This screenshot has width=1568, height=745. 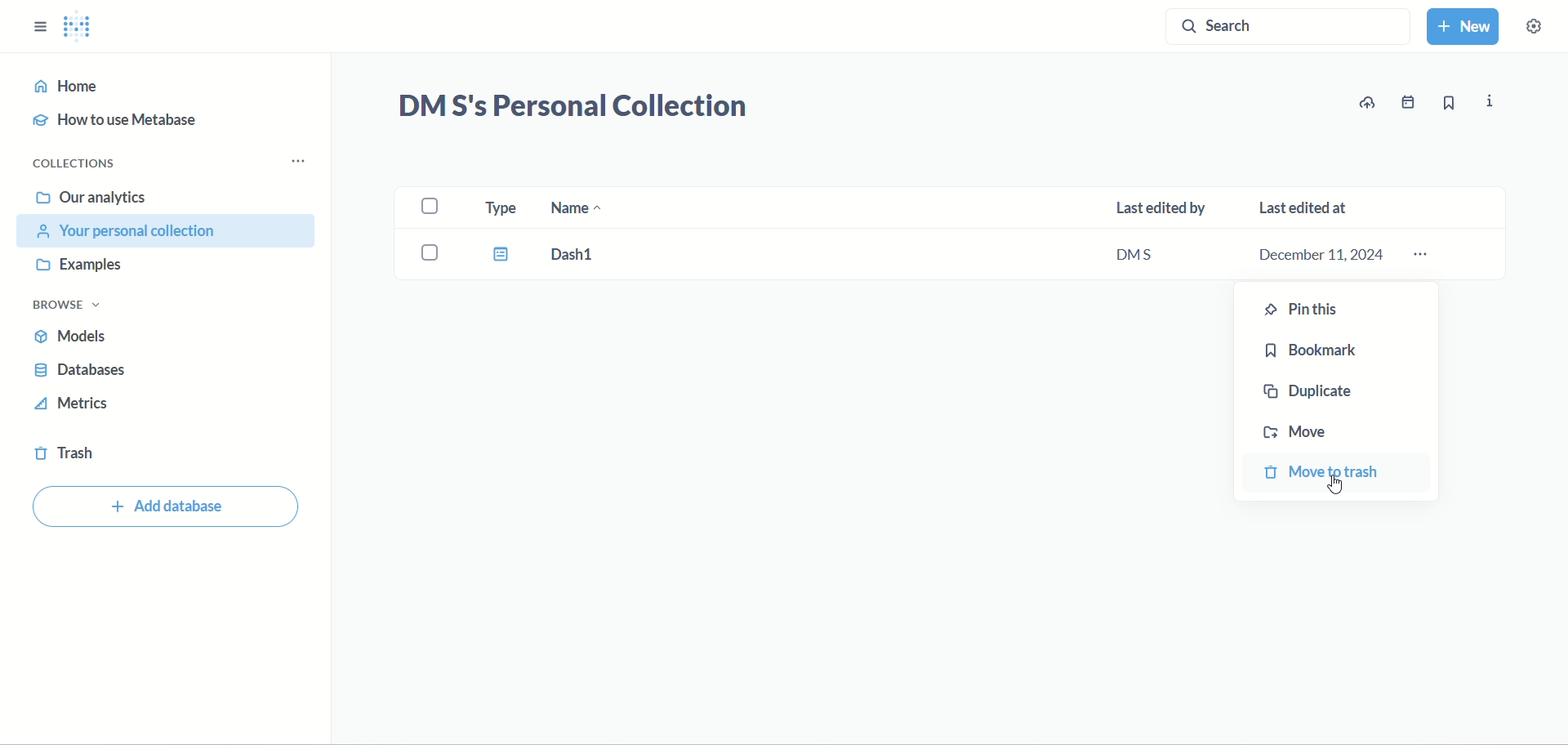 I want to click on DMS , so click(x=1145, y=256).